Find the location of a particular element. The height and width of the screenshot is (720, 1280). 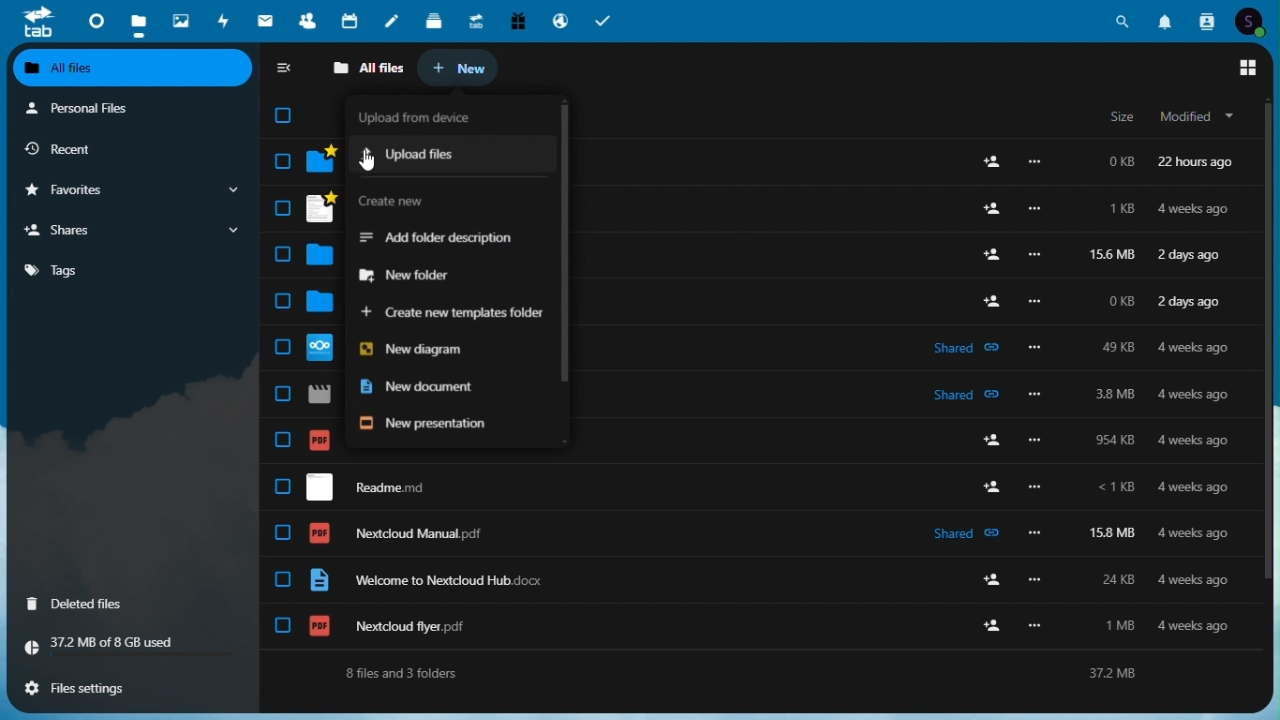

all files is located at coordinates (134, 68).